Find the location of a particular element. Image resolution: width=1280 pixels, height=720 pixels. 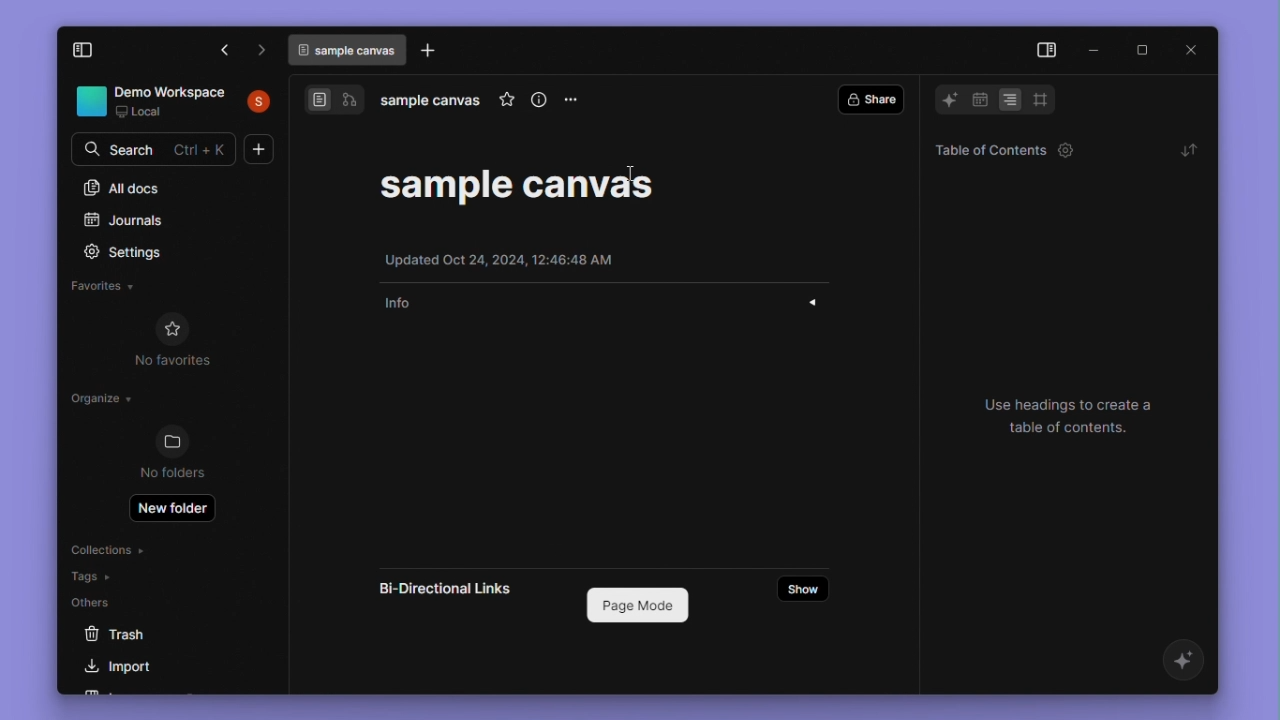

text is located at coordinates (1080, 418).